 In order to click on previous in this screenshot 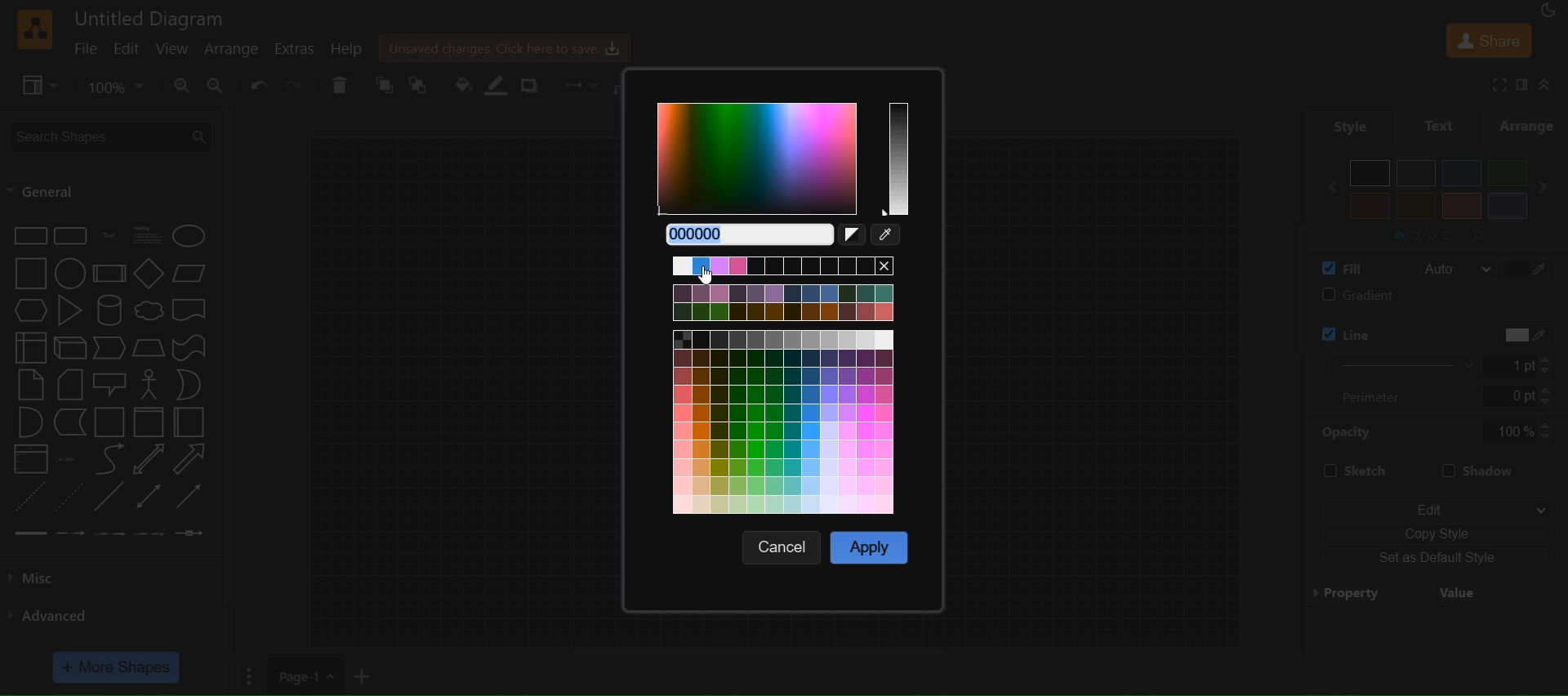, I will do `click(1325, 187)`.